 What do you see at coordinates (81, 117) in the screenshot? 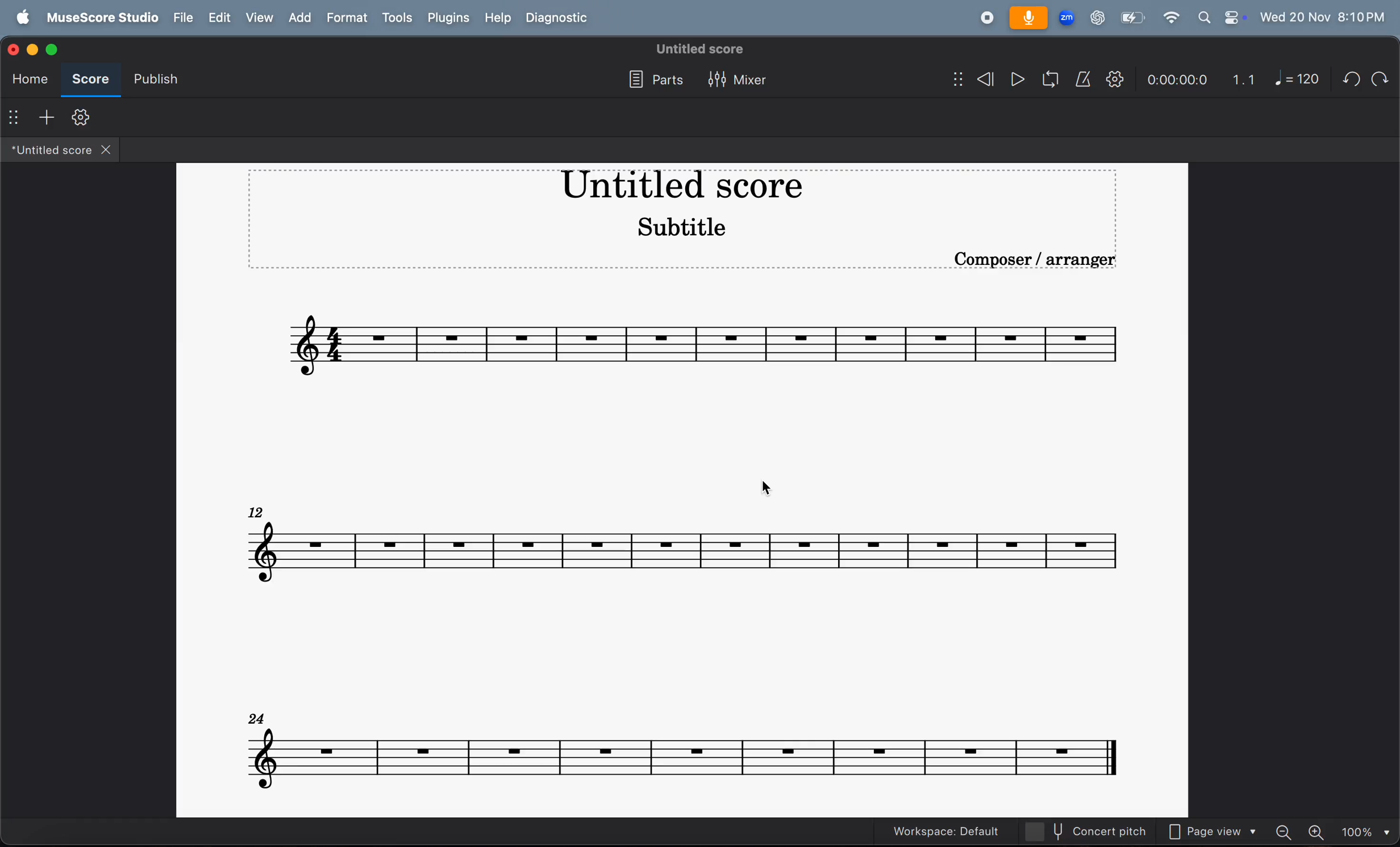
I see `toolbar setting` at bounding box center [81, 117].